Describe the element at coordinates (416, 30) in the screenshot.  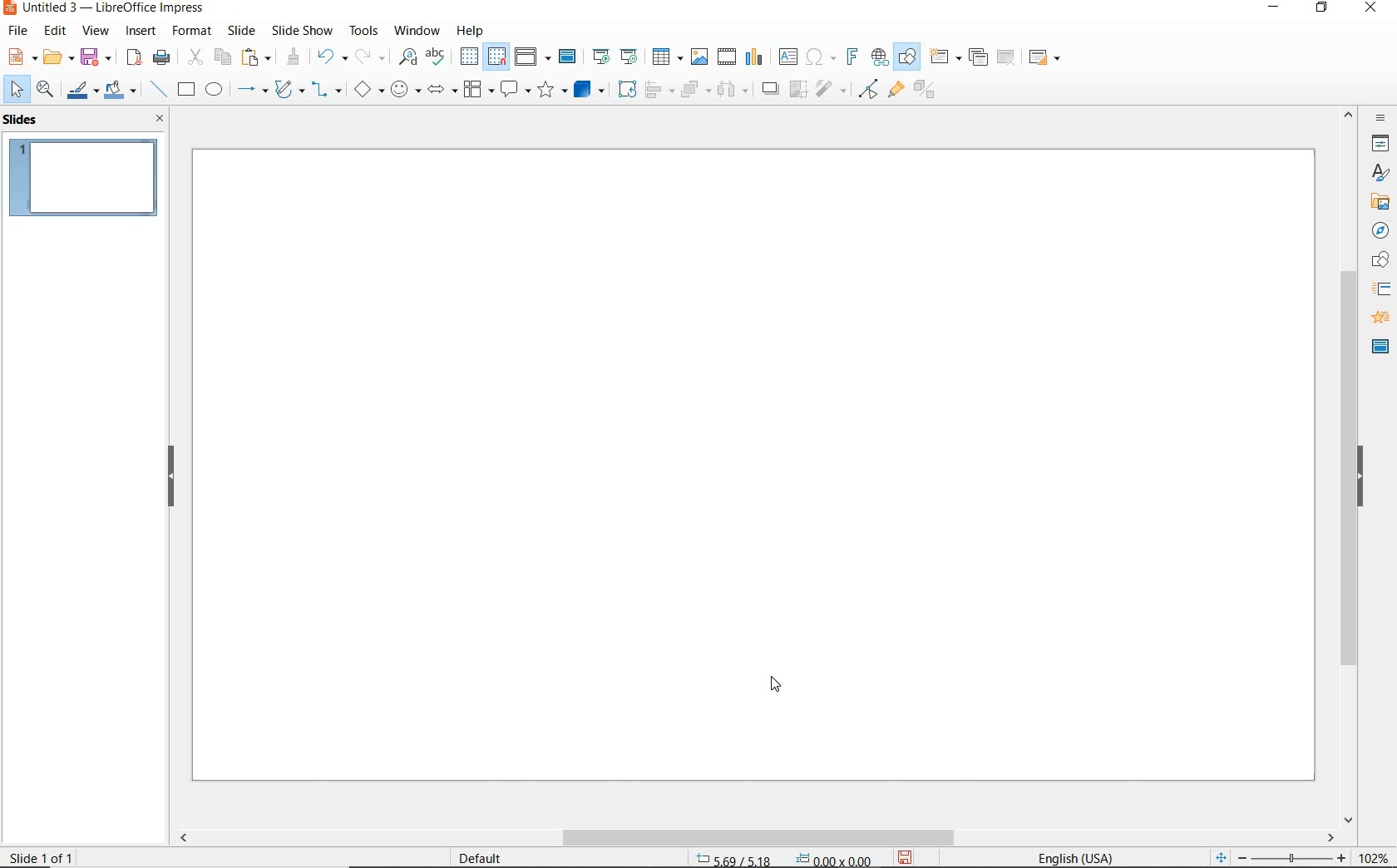
I see `WINDOW` at that location.